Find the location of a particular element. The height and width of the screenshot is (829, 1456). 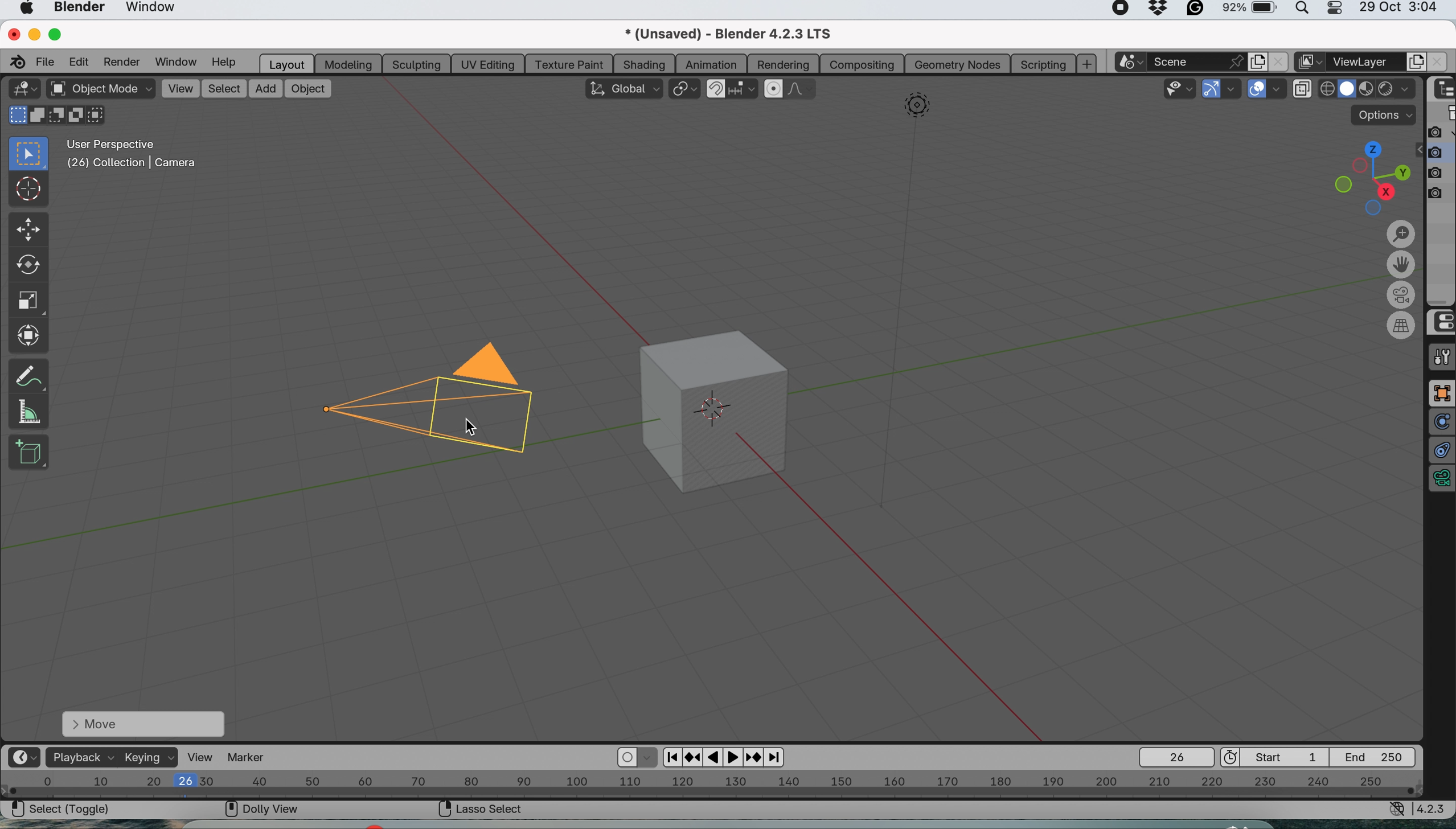

transform pivot point is located at coordinates (684, 89).